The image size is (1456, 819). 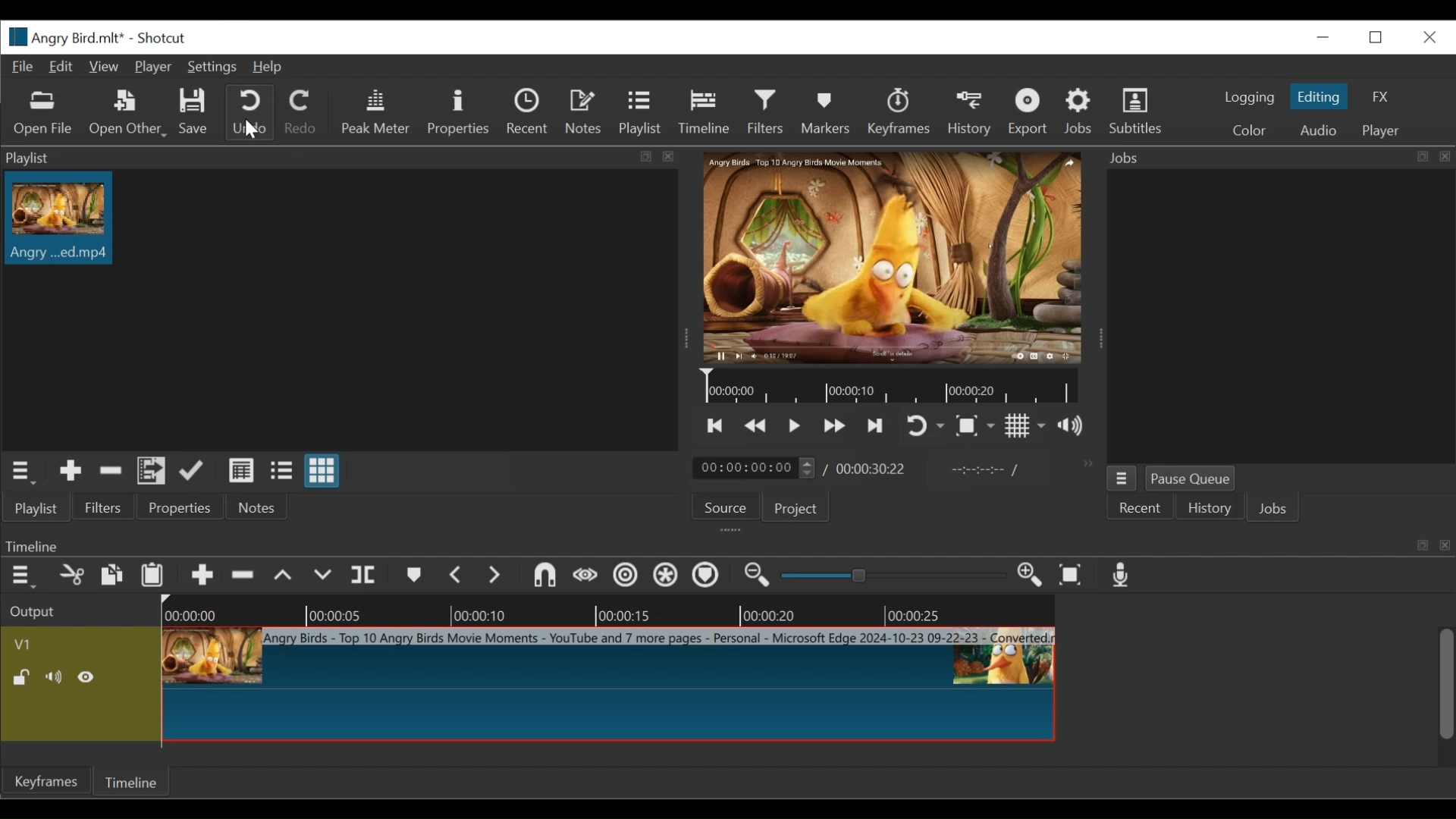 I want to click on Ripple Delete, so click(x=242, y=576).